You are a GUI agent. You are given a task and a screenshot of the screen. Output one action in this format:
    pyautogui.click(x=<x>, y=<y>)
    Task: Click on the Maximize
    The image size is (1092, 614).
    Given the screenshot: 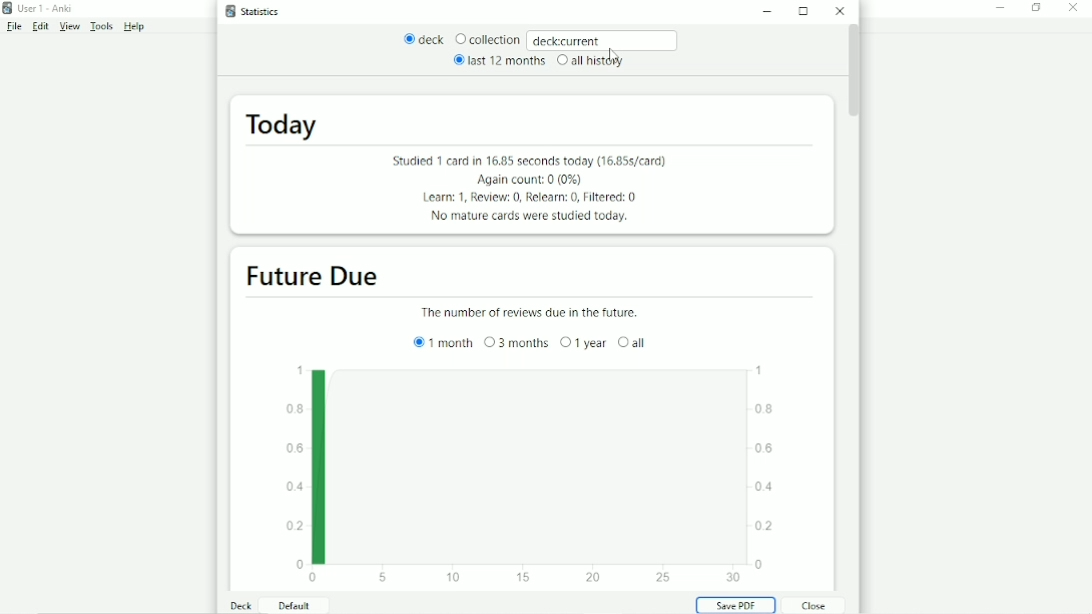 What is the action you would take?
    pyautogui.click(x=805, y=11)
    